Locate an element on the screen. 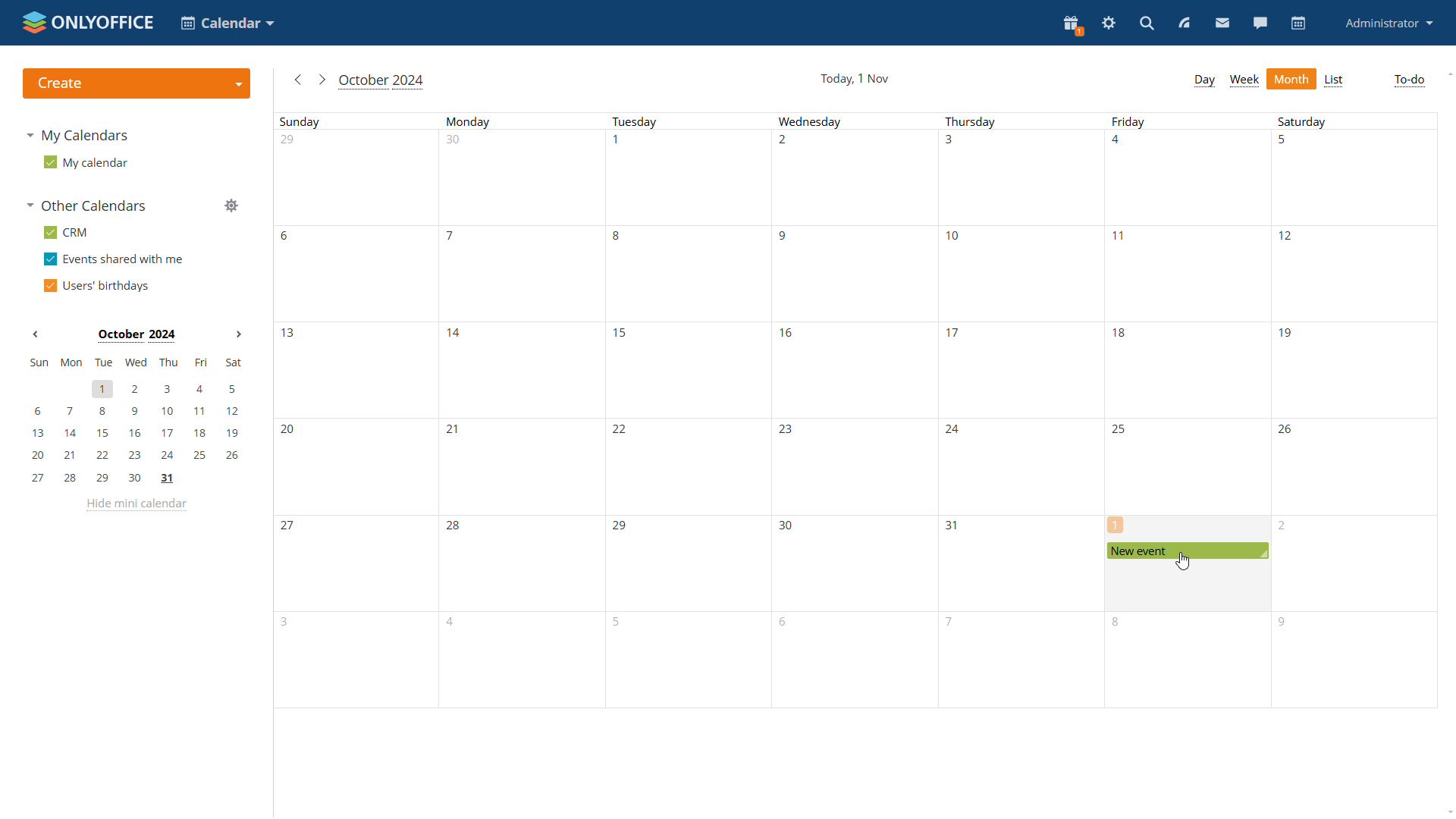  crm is located at coordinates (67, 232).